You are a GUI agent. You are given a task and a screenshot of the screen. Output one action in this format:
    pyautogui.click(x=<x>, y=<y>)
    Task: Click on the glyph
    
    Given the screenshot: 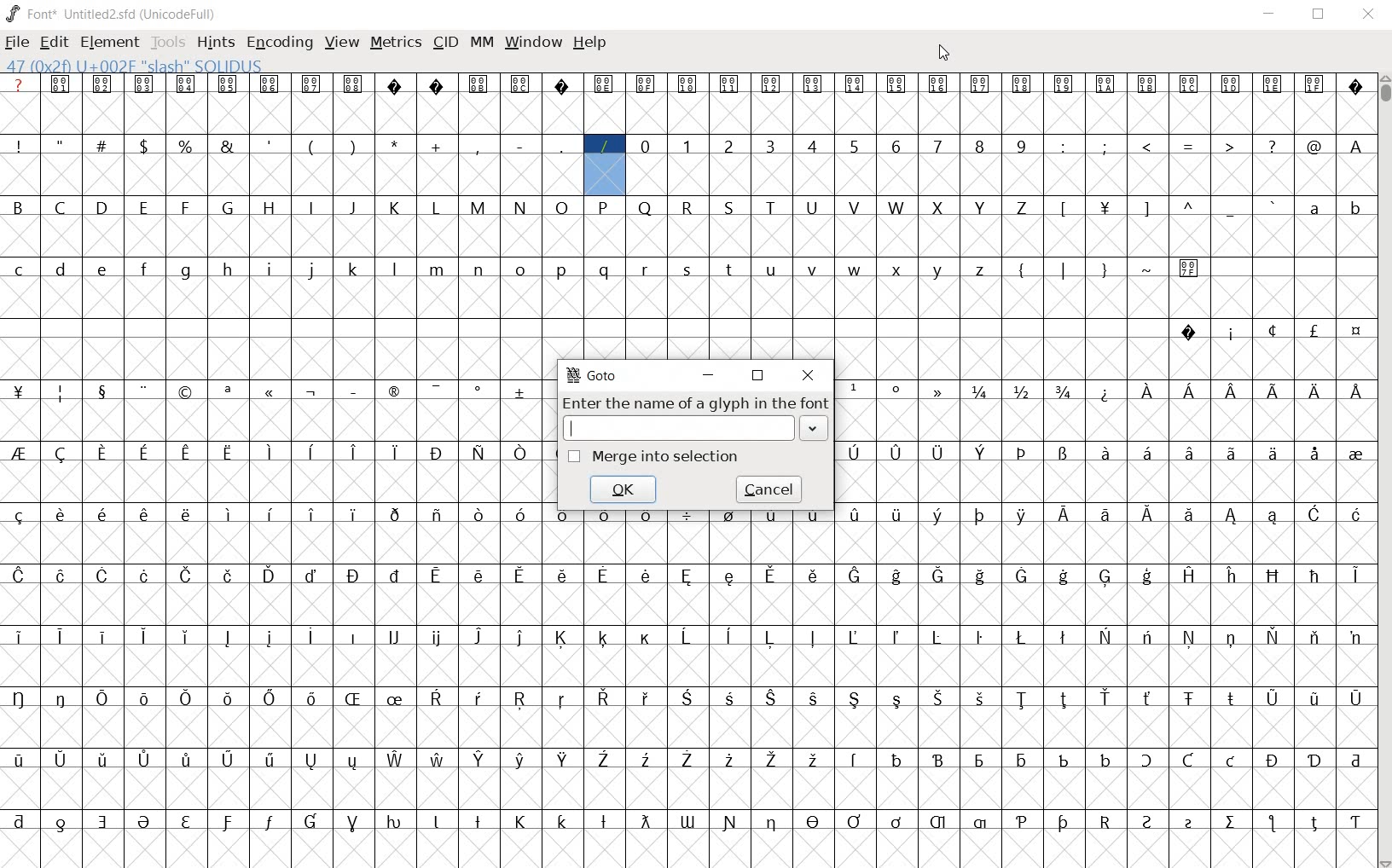 What is the action you would take?
    pyautogui.click(x=101, y=144)
    